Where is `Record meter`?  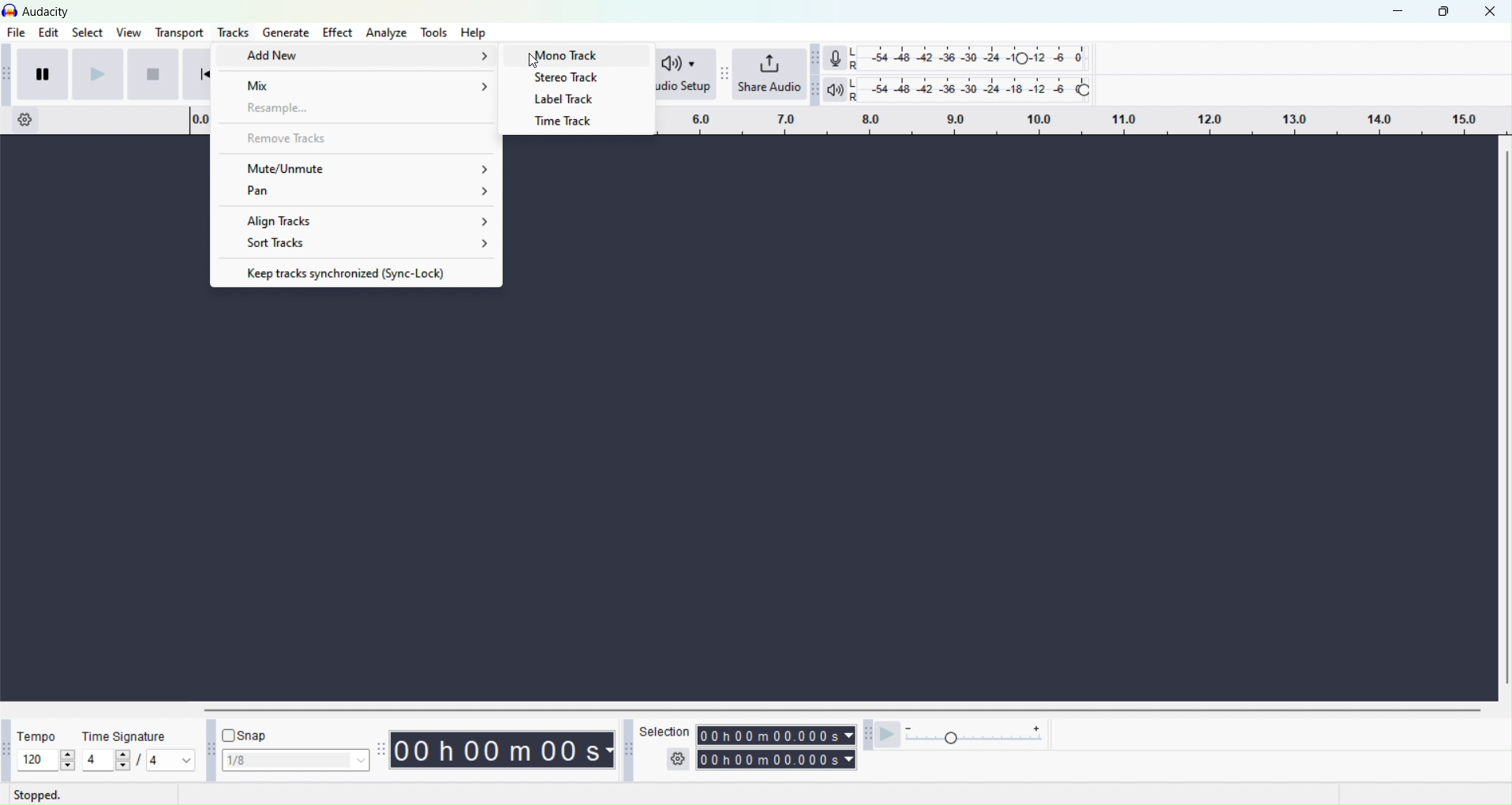
Record meter is located at coordinates (836, 58).